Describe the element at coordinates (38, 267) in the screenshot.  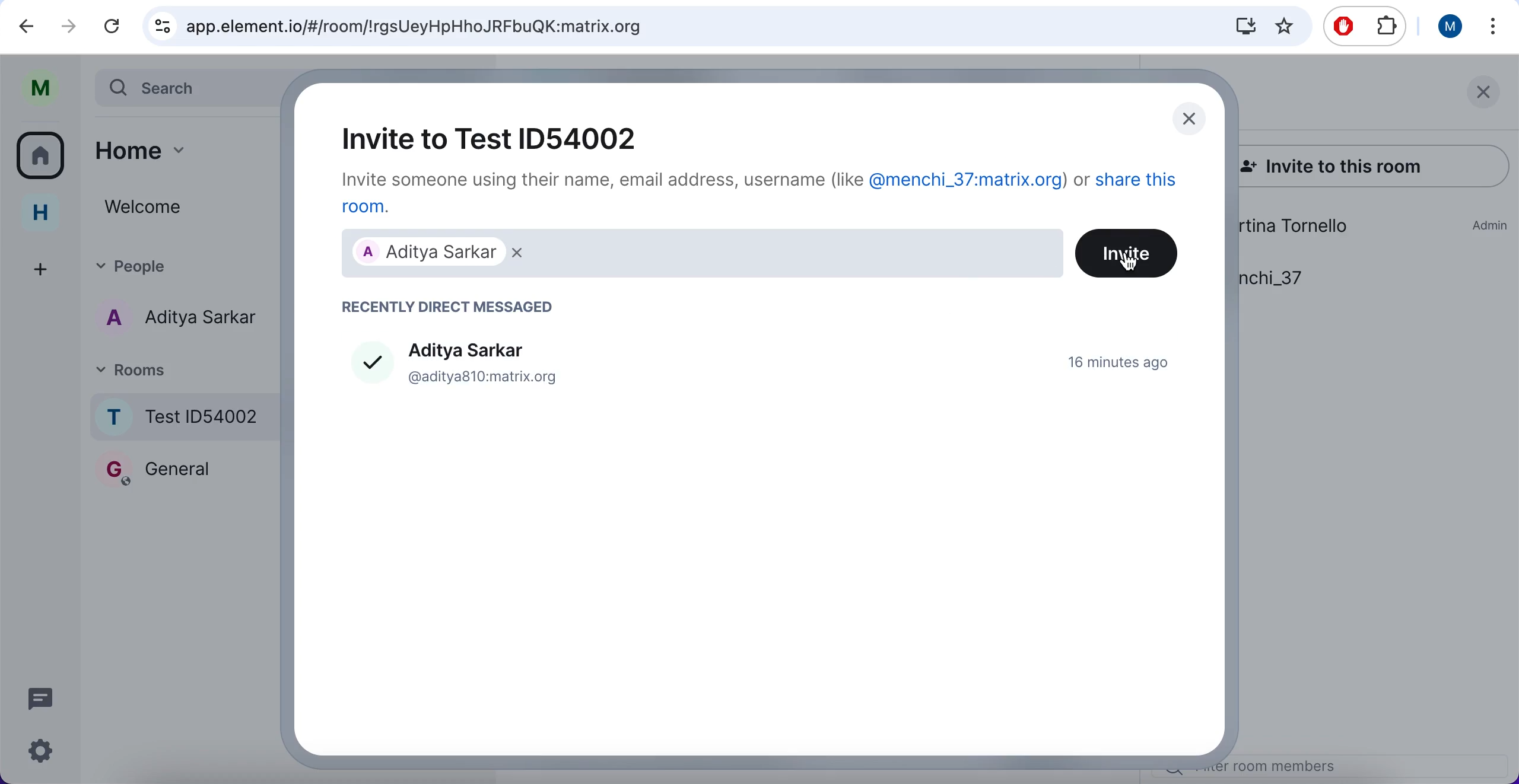
I see `add` at that location.